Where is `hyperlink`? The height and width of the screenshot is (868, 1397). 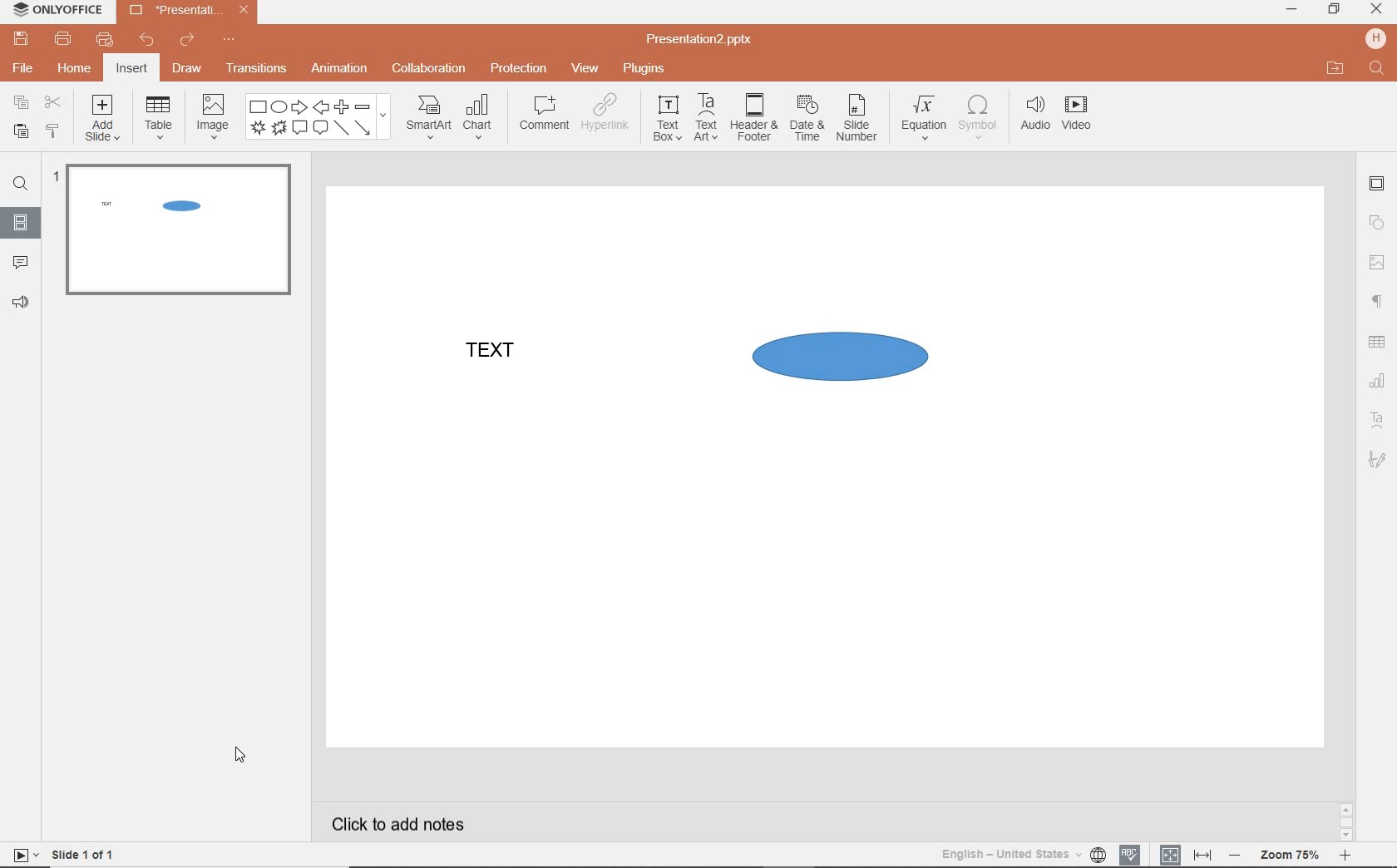 hyperlink is located at coordinates (606, 114).